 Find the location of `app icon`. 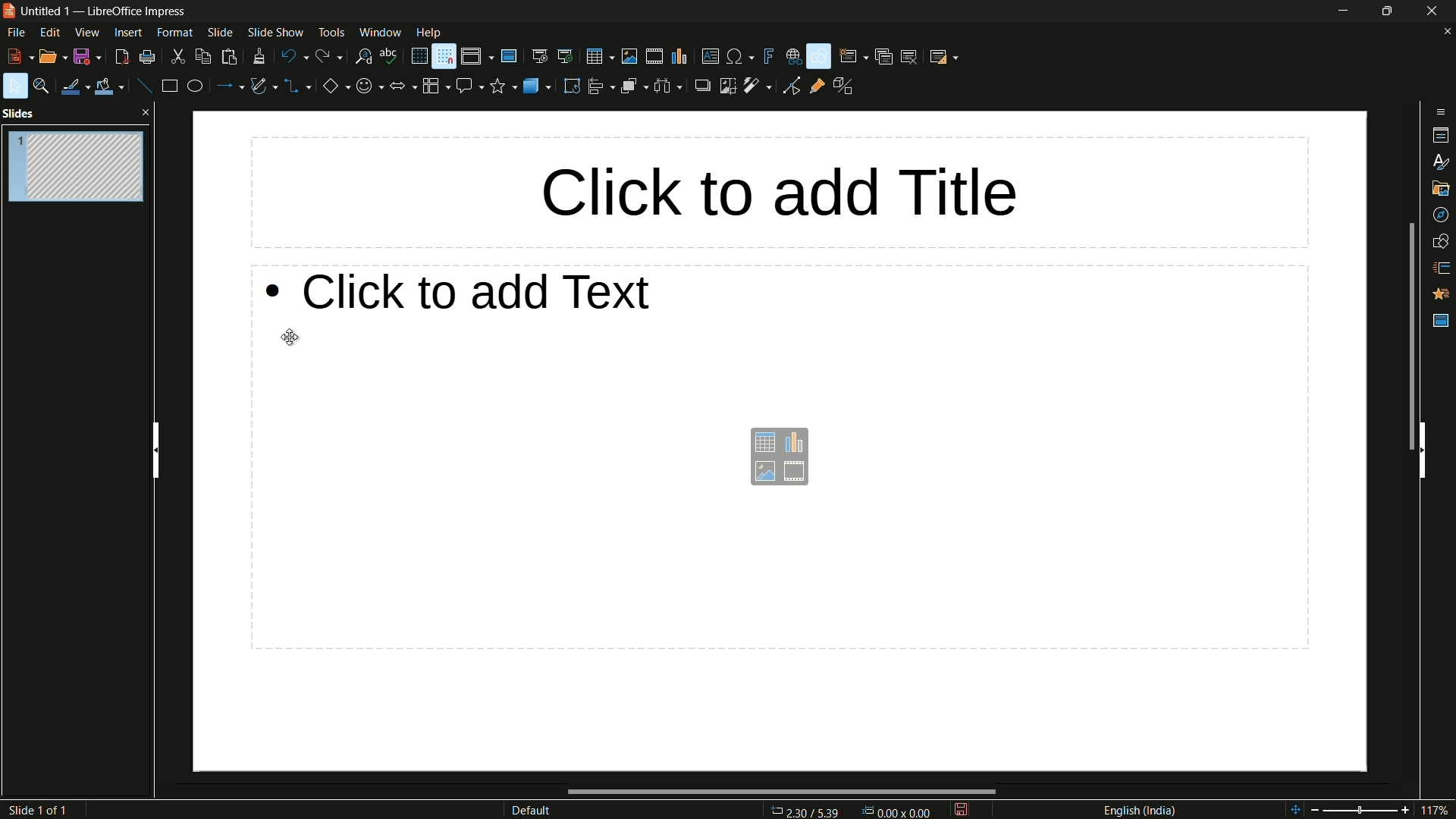

app icon is located at coordinates (10, 11).